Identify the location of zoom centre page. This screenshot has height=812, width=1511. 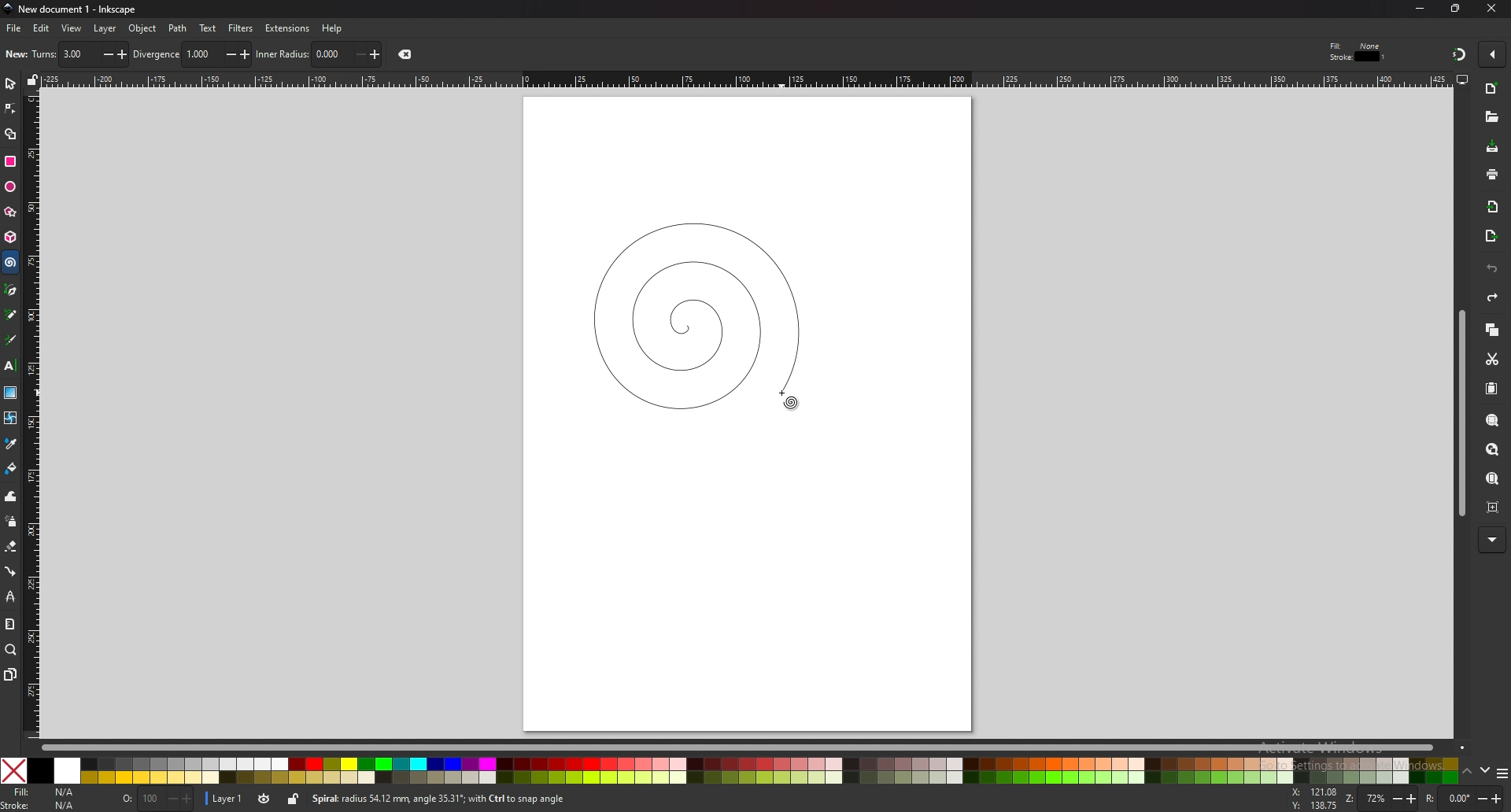
(1493, 507).